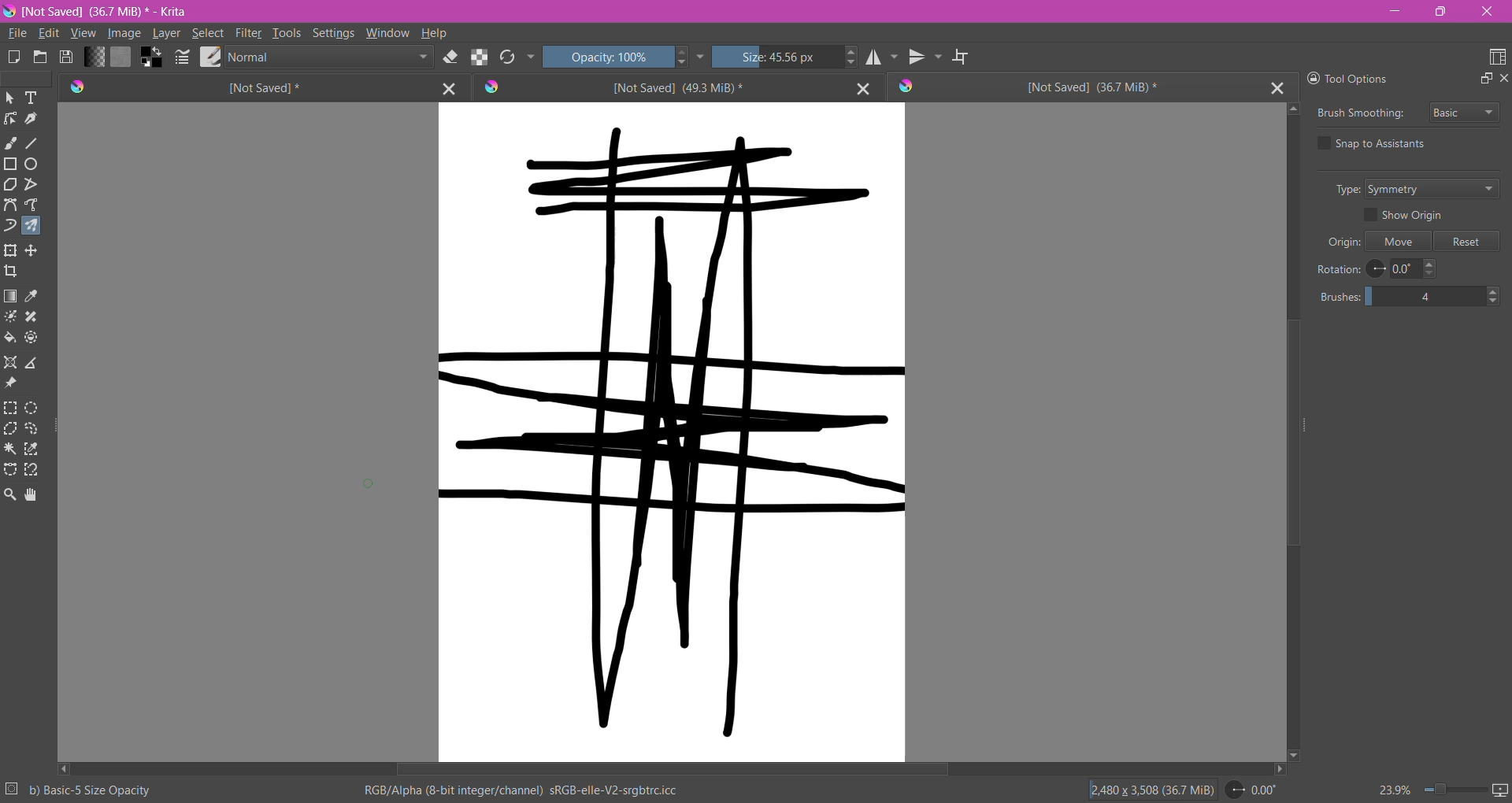 The width and height of the screenshot is (1512, 803). Describe the element at coordinates (1466, 242) in the screenshot. I see `Reset` at that location.